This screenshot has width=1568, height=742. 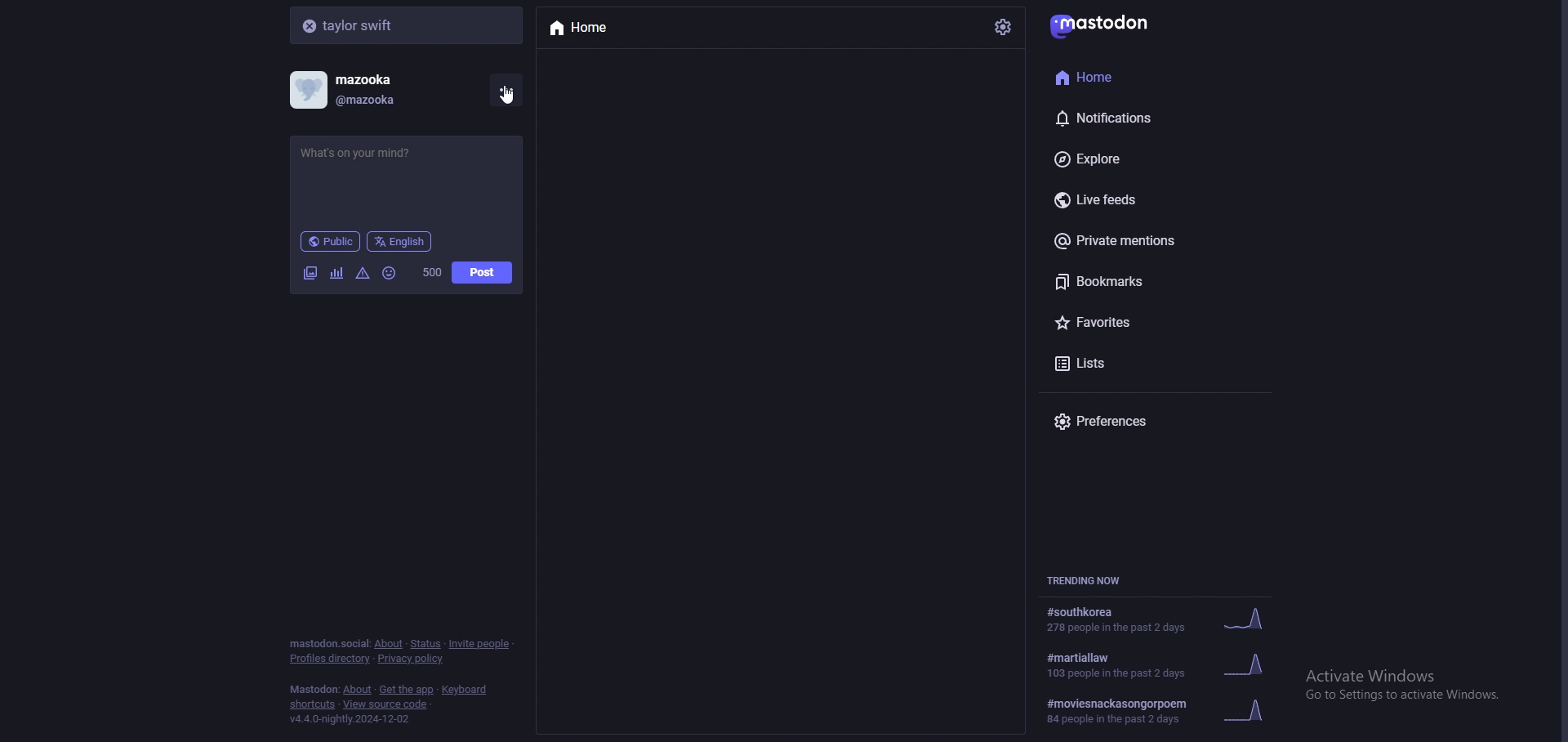 What do you see at coordinates (483, 272) in the screenshot?
I see `post` at bounding box center [483, 272].